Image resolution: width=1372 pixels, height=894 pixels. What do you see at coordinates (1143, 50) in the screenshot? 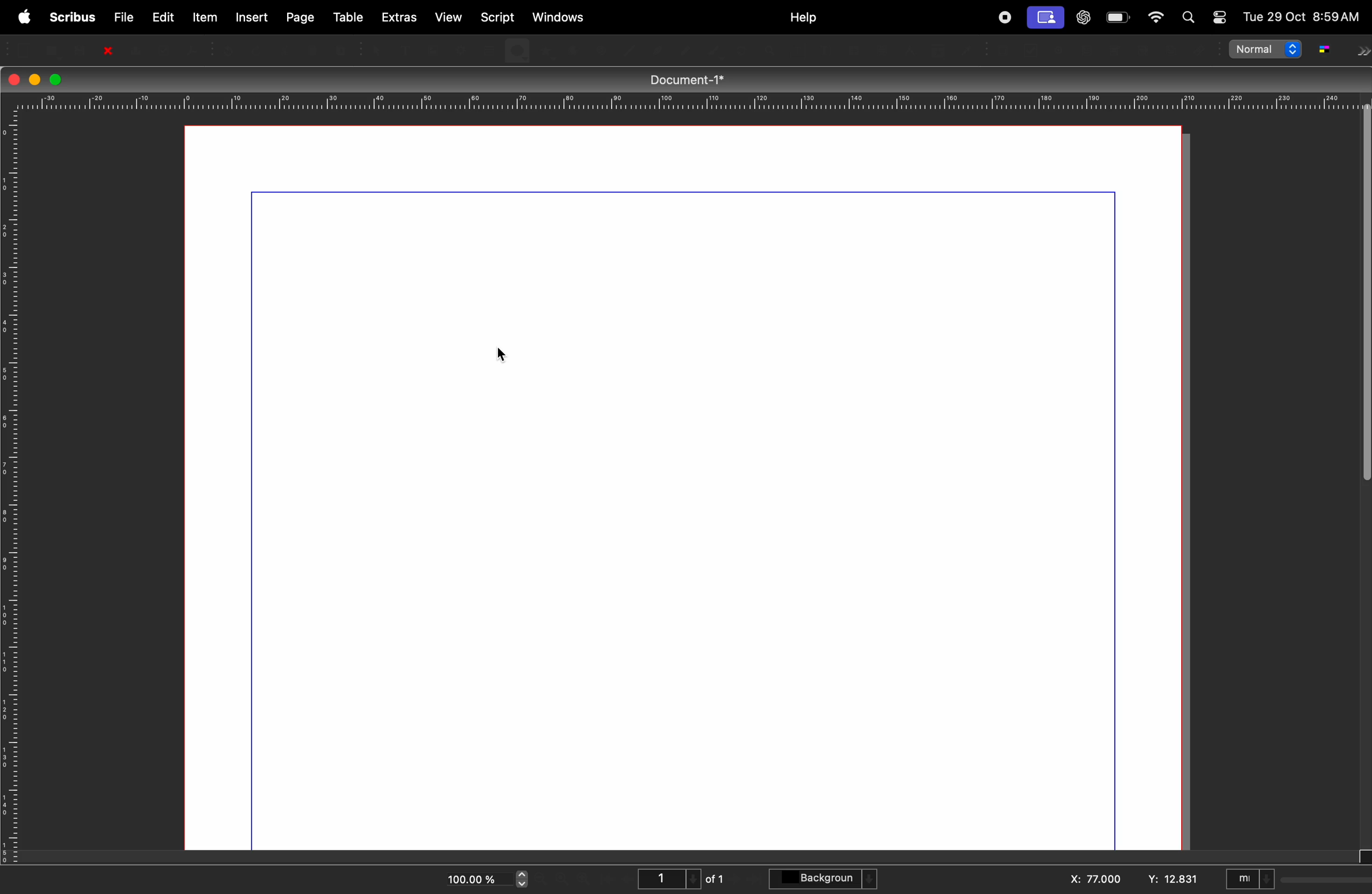
I see `pdf list box` at bounding box center [1143, 50].